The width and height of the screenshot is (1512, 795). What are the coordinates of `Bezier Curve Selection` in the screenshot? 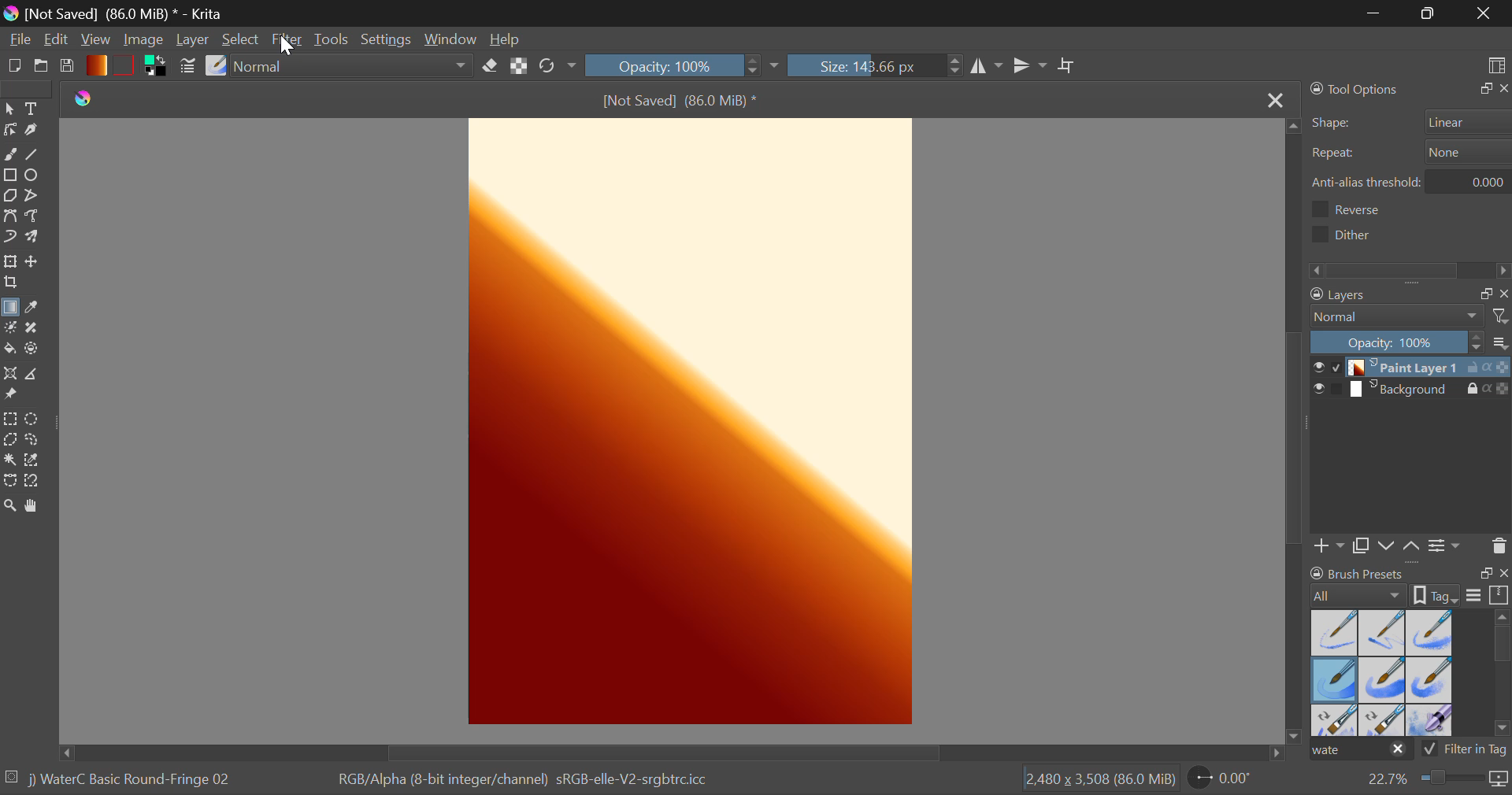 It's located at (10, 482).